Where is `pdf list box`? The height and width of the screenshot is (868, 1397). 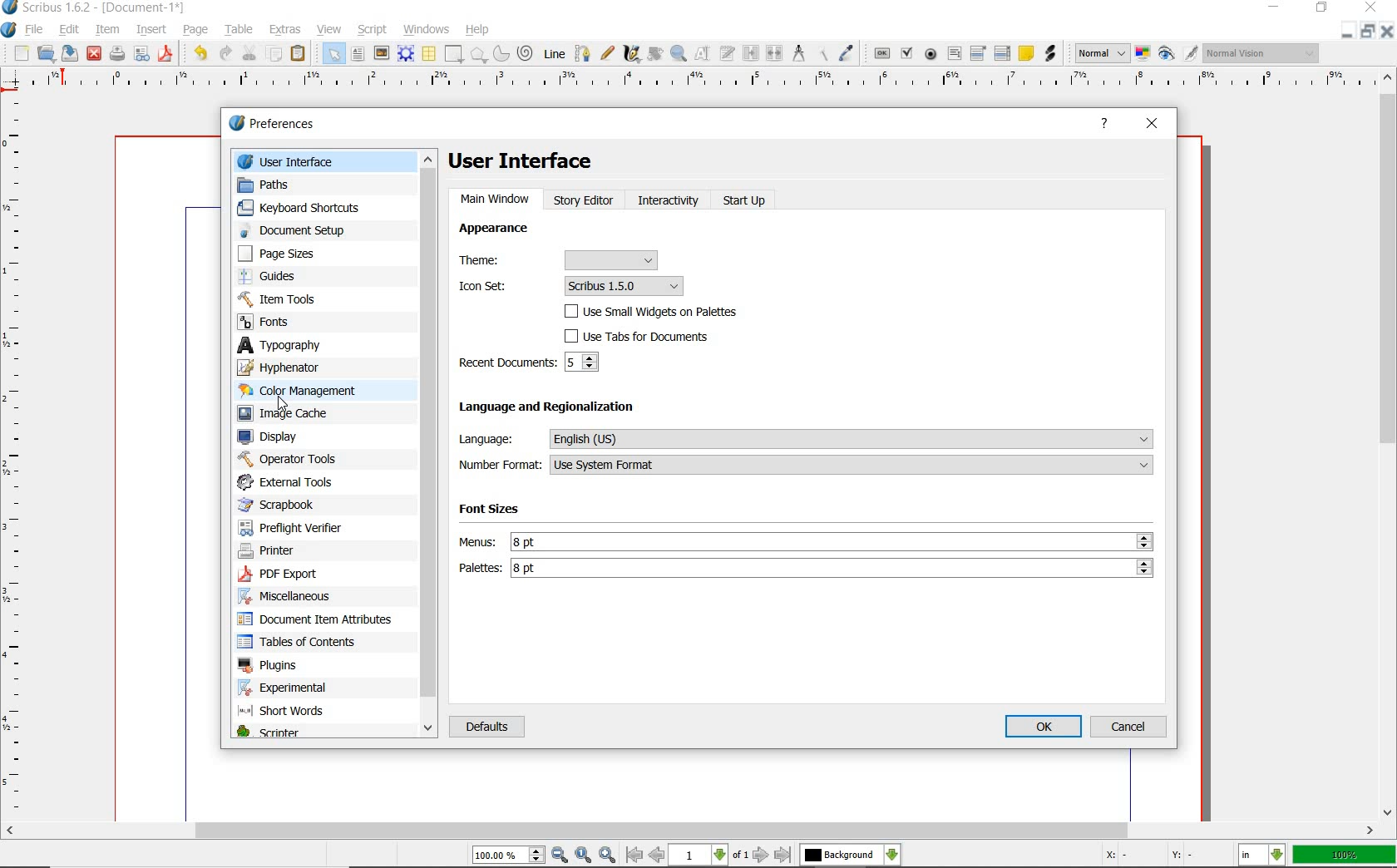
pdf list box is located at coordinates (1001, 53).